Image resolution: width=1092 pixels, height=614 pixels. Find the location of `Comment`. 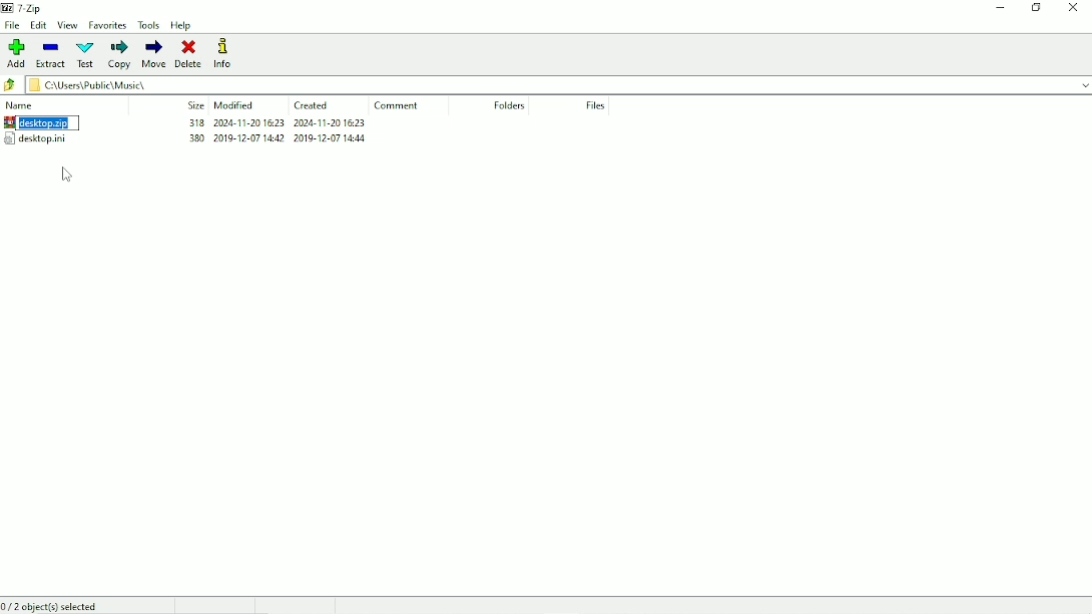

Comment is located at coordinates (397, 106).